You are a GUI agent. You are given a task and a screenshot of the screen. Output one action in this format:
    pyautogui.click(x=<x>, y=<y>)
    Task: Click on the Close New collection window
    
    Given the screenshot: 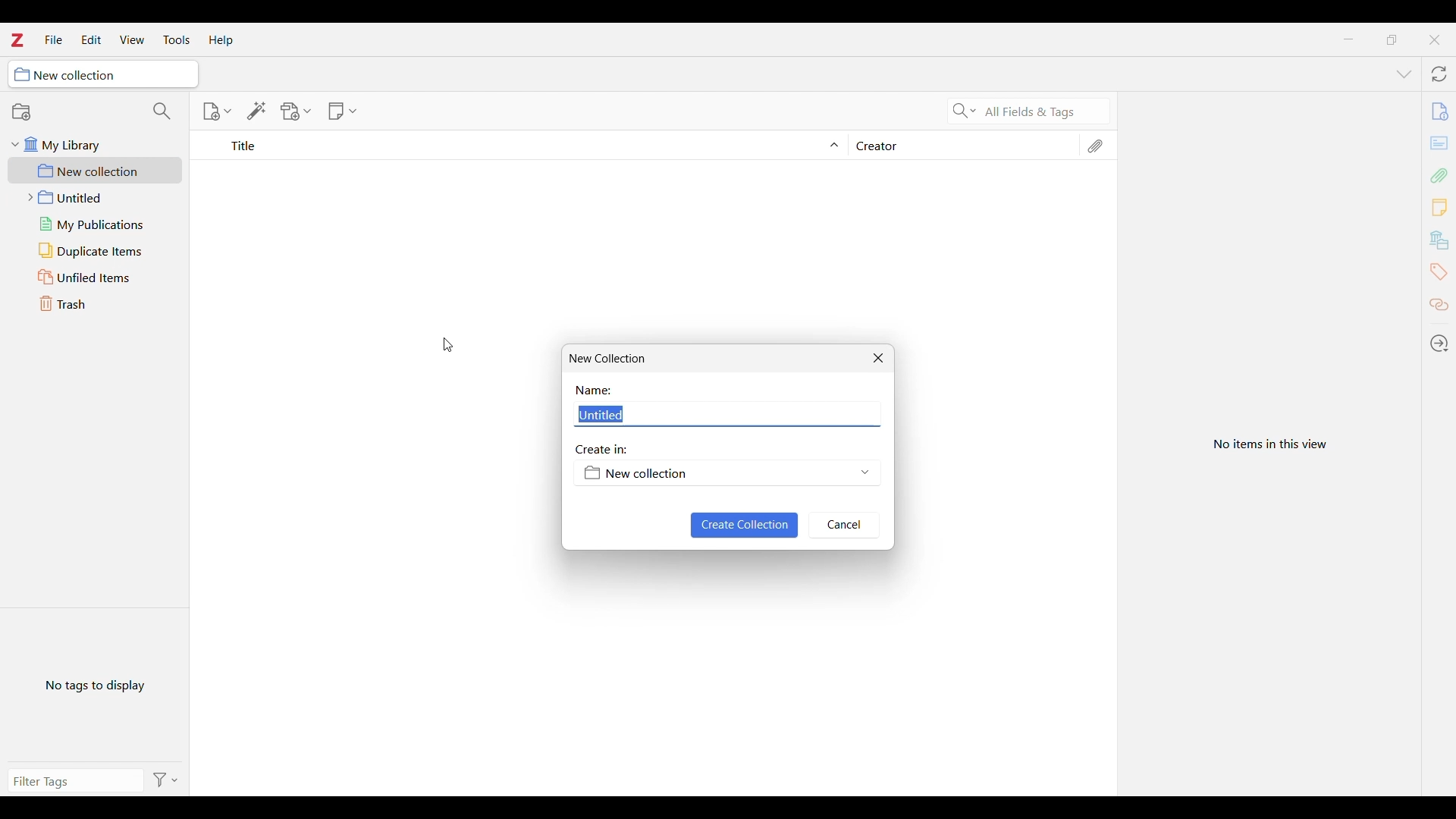 What is the action you would take?
    pyautogui.click(x=878, y=358)
    